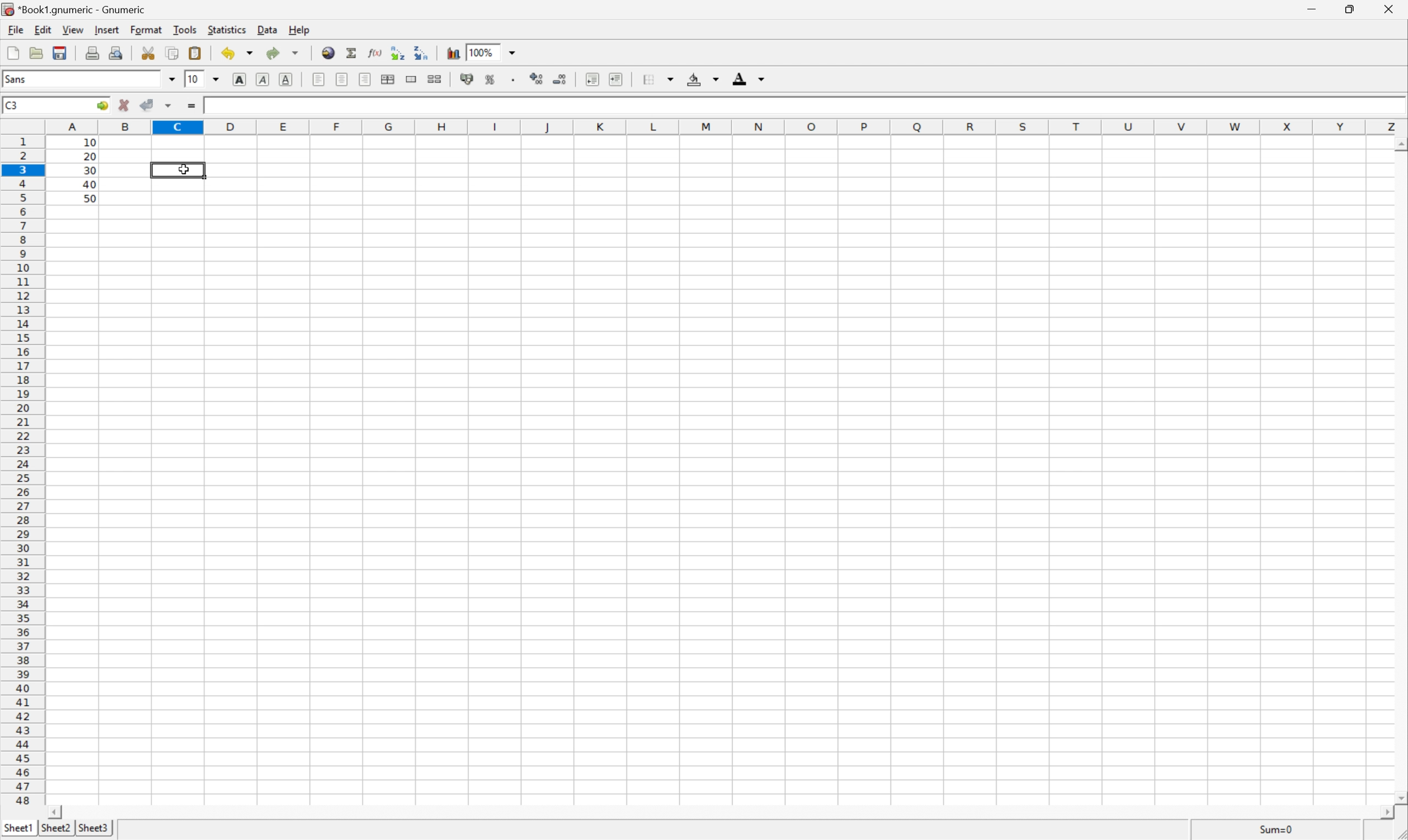 The height and width of the screenshot is (840, 1408). I want to click on File, so click(16, 29).